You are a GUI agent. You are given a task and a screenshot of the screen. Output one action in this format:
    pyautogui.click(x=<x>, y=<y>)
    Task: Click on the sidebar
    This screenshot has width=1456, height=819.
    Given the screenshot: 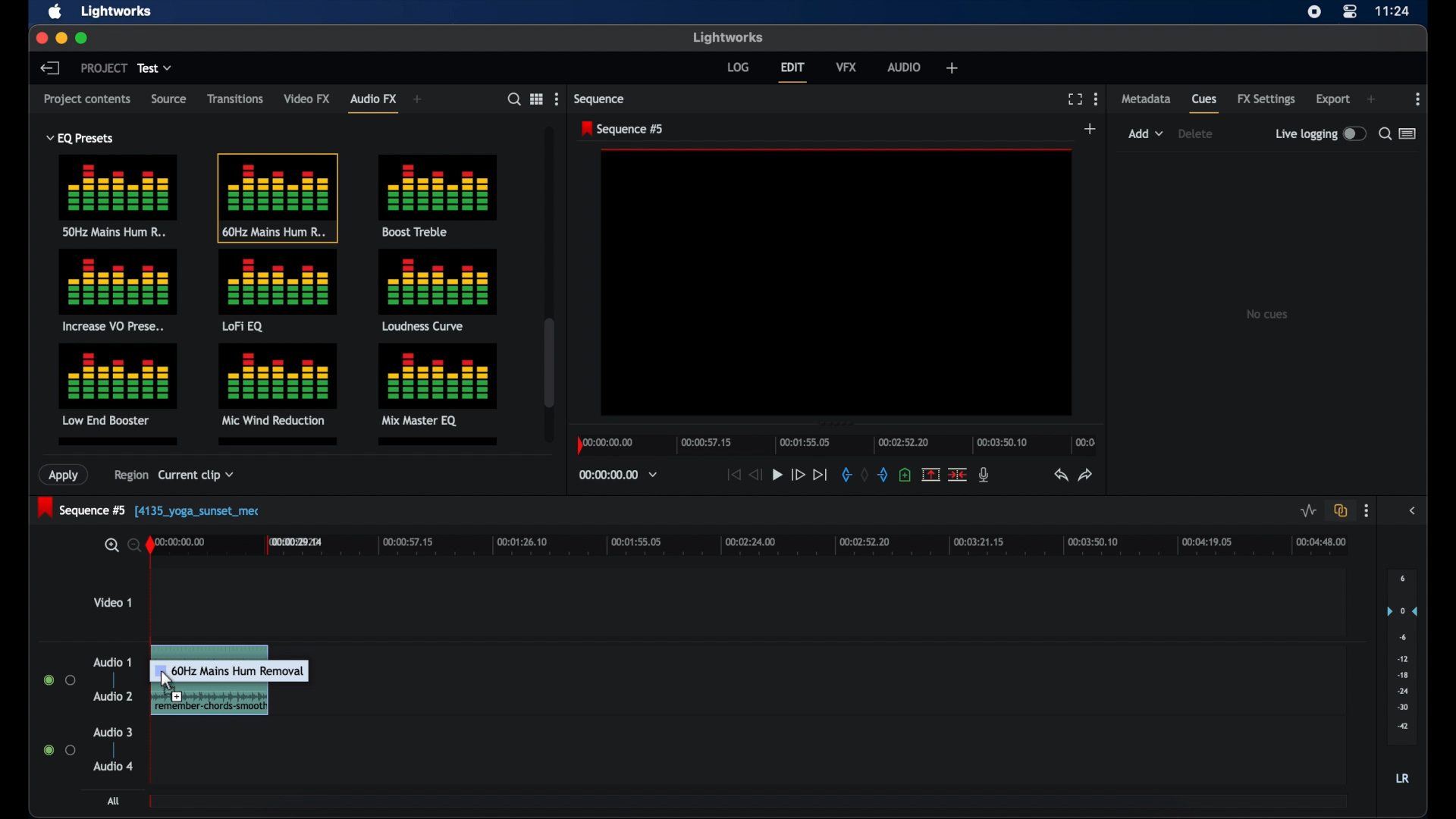 What is the action you would take?
    pyautogui.click(x=1414, y=510)
    